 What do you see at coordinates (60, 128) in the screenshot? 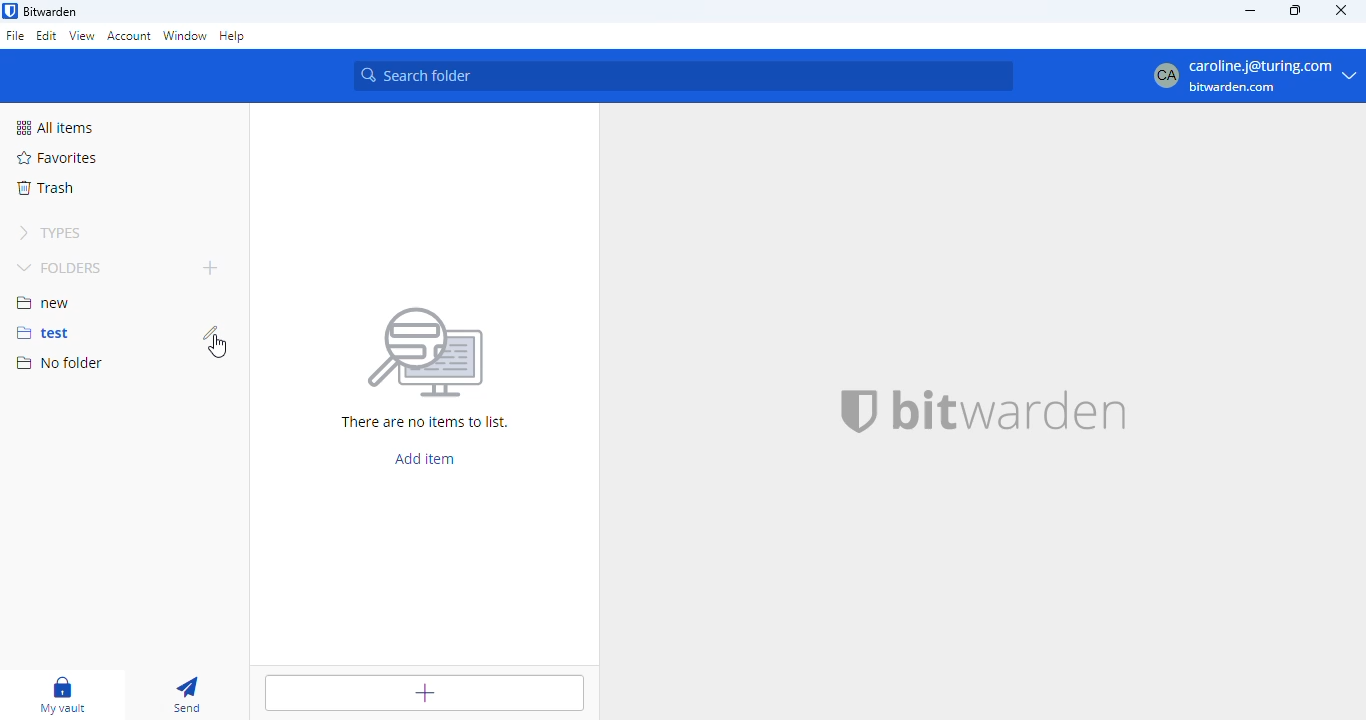
I see `all items` at bounding box center [60, 128].